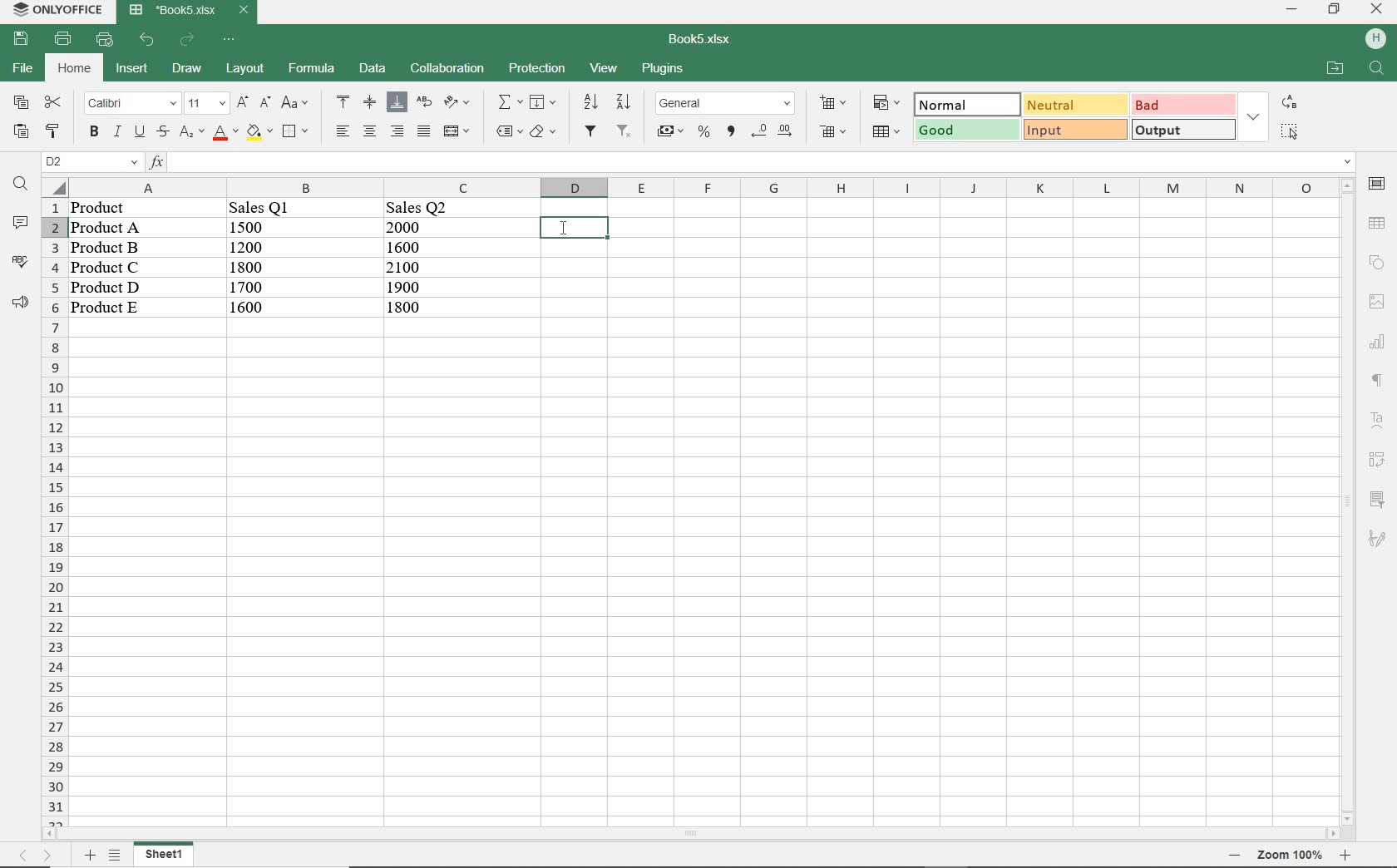 This screenshot has height=868, width=1397. Describe the element at coordinates (1073, 104) in the screenshot. I see `neutral` at that location.